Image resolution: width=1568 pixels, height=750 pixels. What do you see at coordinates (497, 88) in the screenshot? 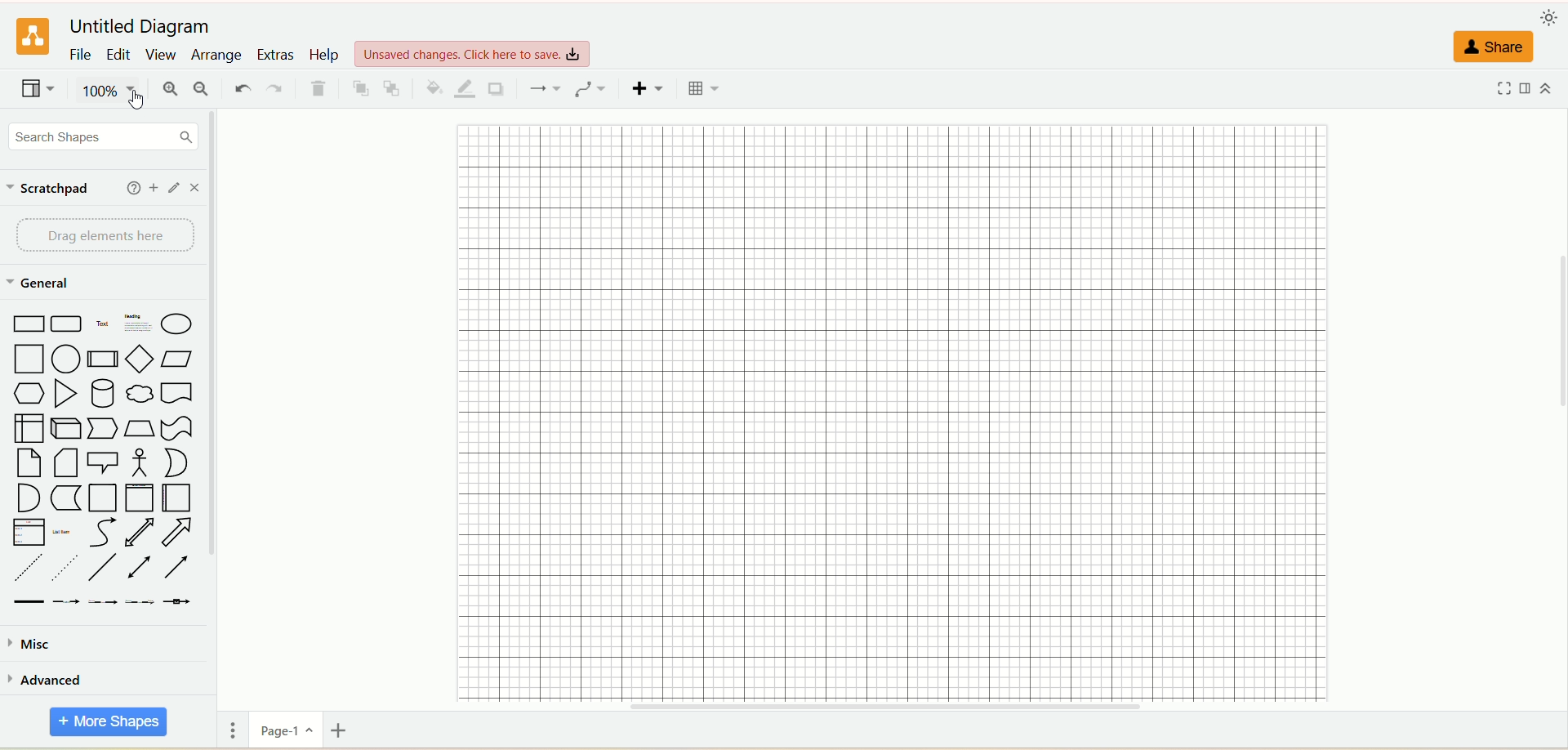
I see `shadow` at bounding box center [497, 88].